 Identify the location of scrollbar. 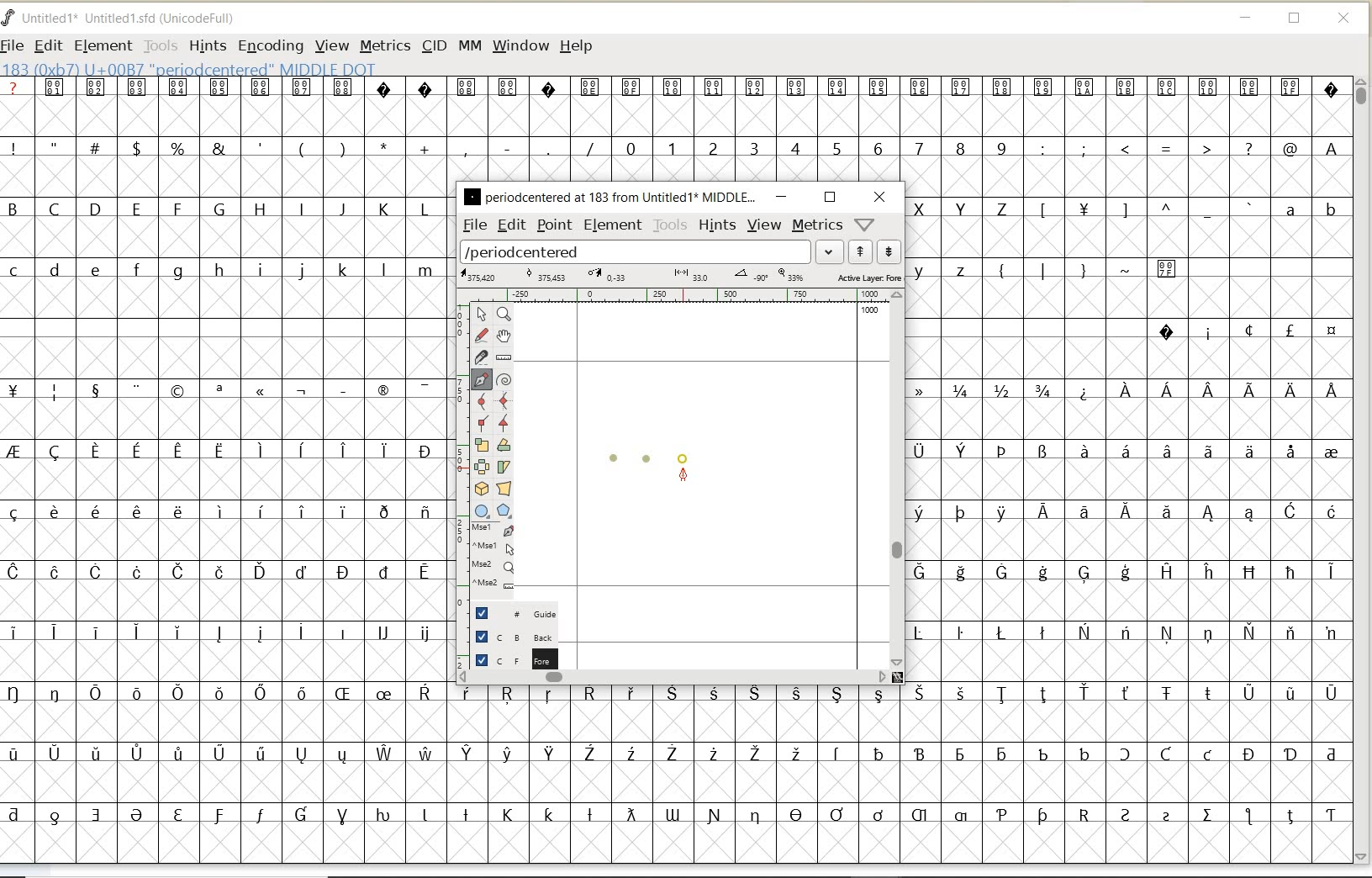
(899, 478).